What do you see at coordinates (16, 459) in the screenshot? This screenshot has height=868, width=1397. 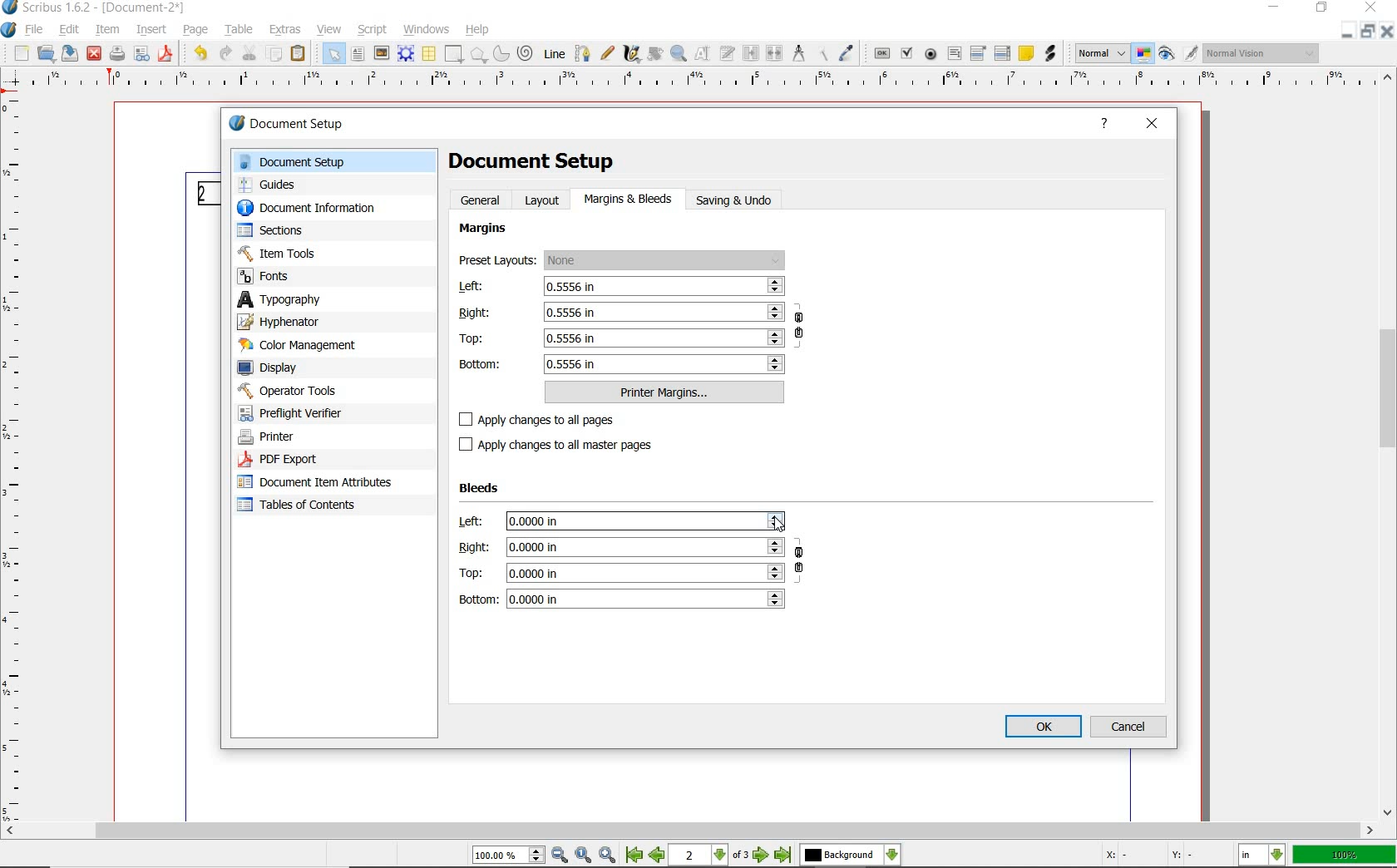 I see `Vertical Margin` at bounding box center [16, 459].